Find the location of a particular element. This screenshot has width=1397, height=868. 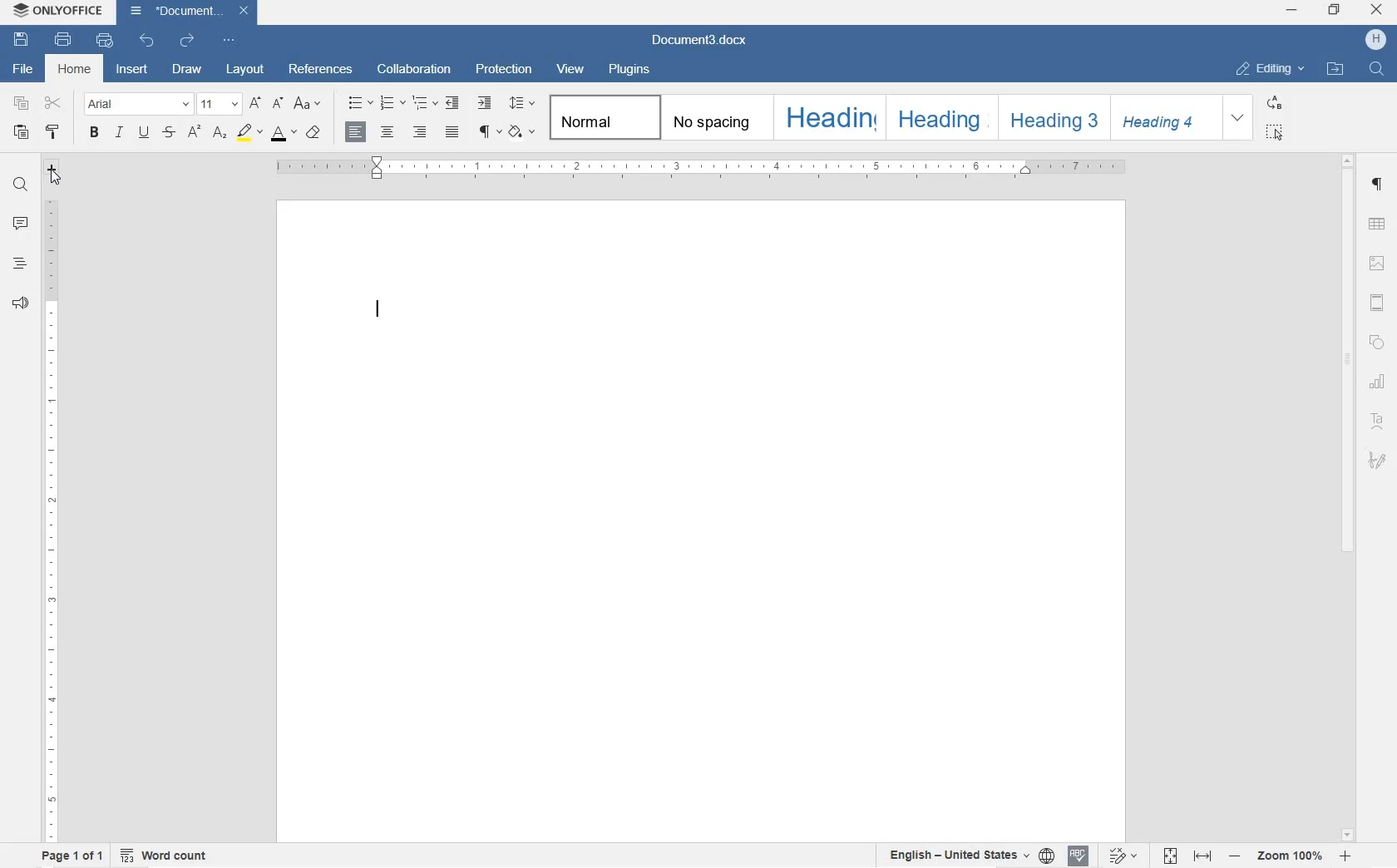

ZOOM IN OR OUT is located at coordinates (1289, 856).